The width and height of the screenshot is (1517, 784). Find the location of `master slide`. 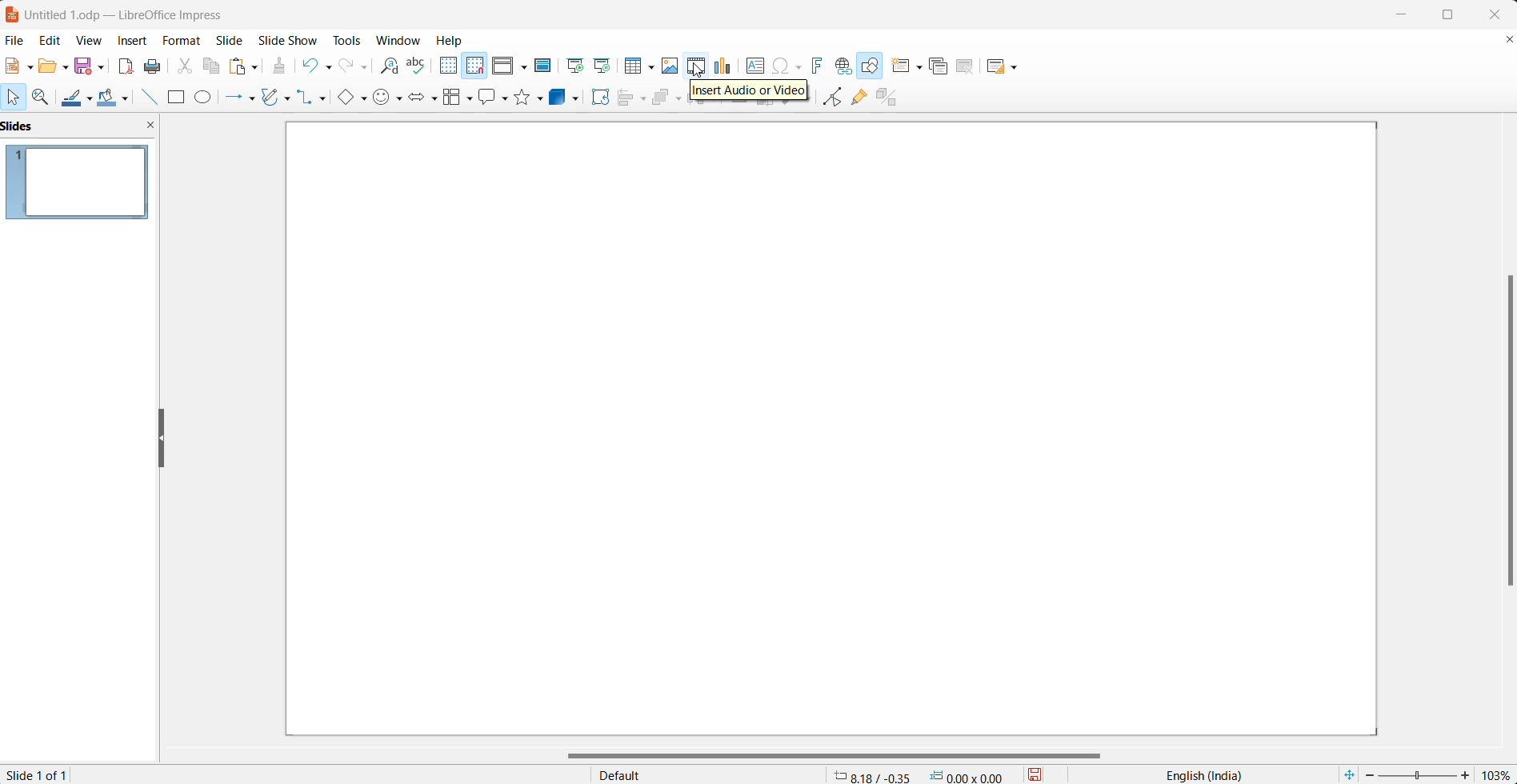

master slide is located at coordinates (546, 66).